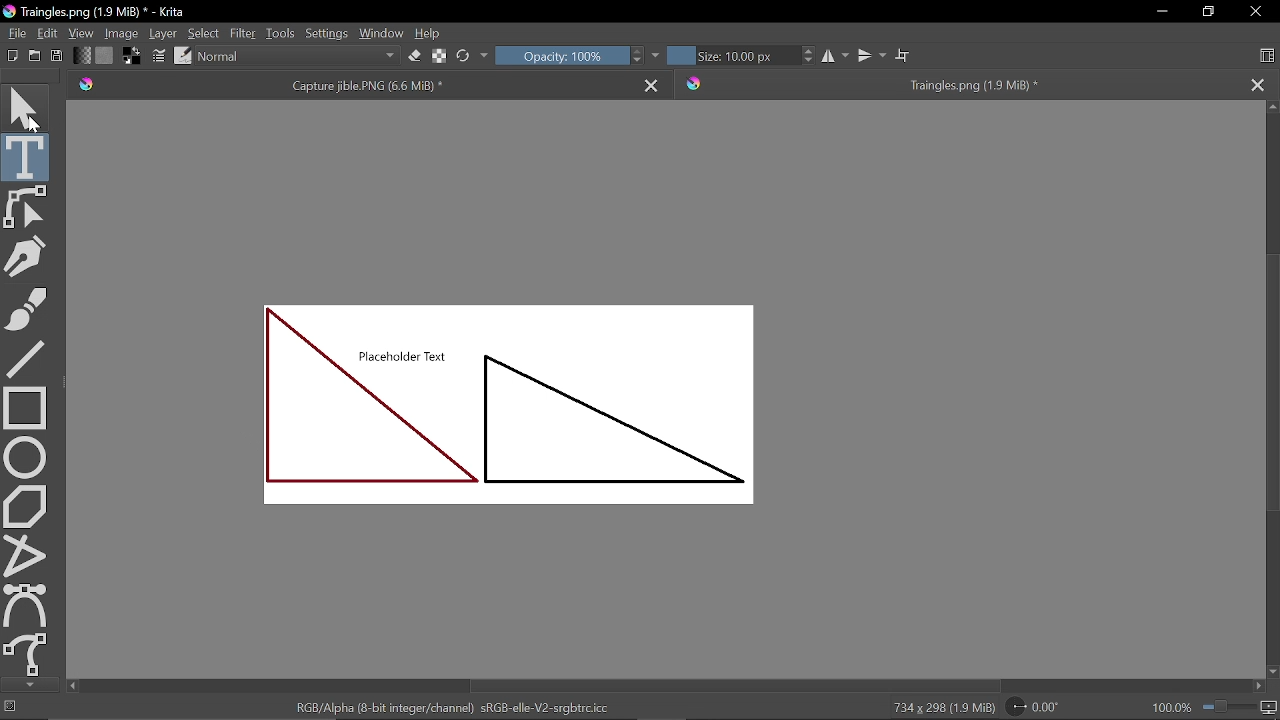 This screenshot has width=1280, height=720. Describe the element at coordinates (504, 415) in the screenshot. I see `Placeholder Text` at that location.